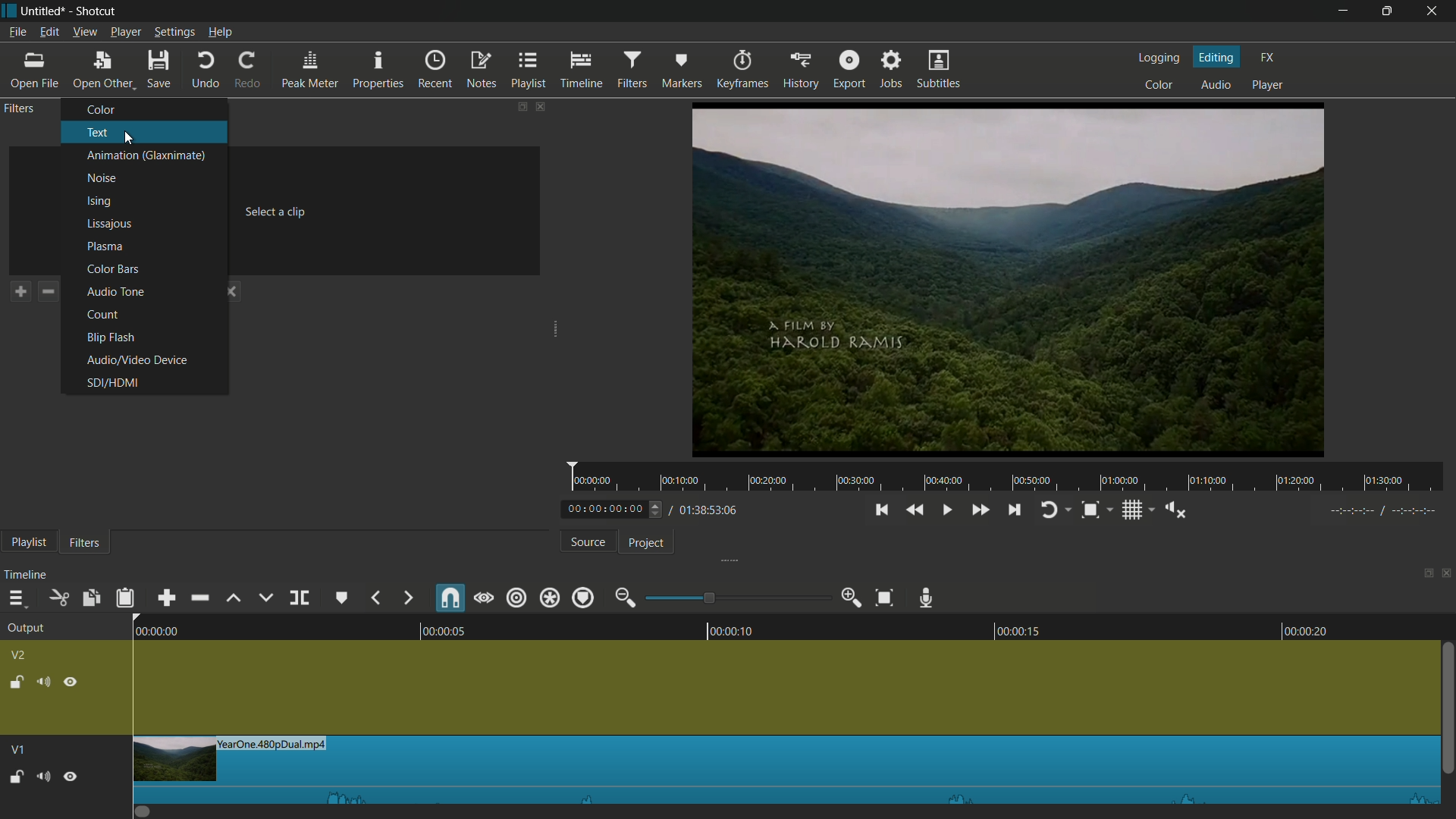  I want to click on Volume, so click(42, 775).